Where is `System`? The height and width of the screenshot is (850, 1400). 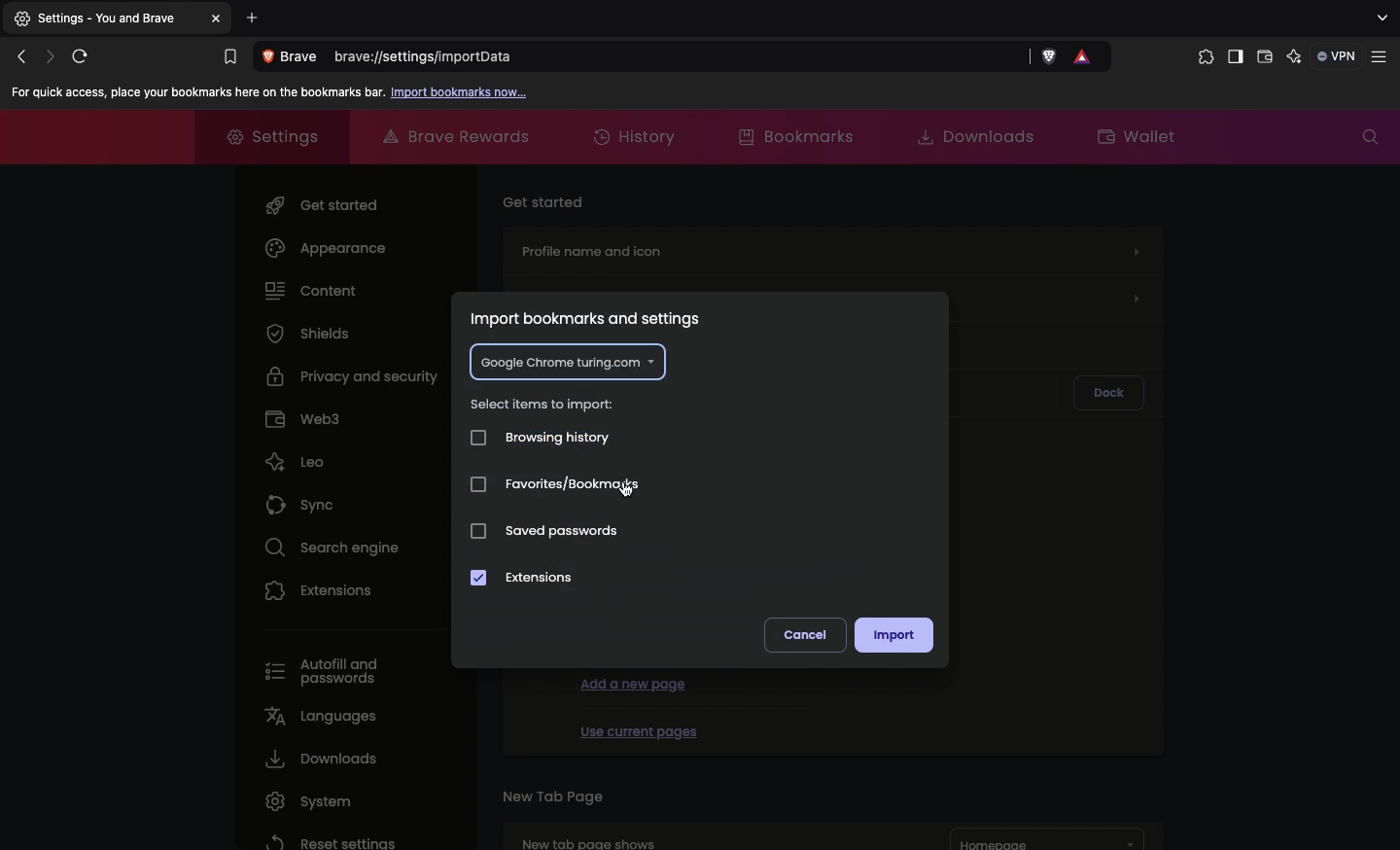 System is located at coordinates (303, 801).